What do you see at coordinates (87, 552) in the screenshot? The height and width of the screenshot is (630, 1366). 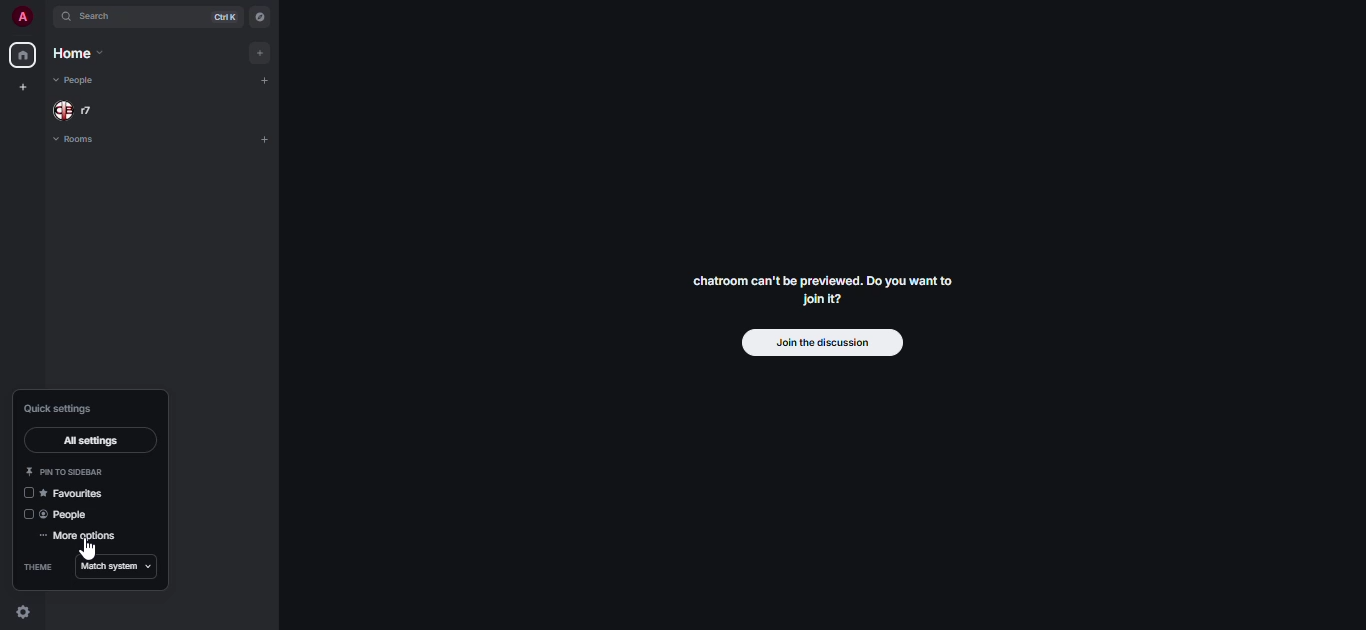 I see `cursor` at bounding box center [87, 552].